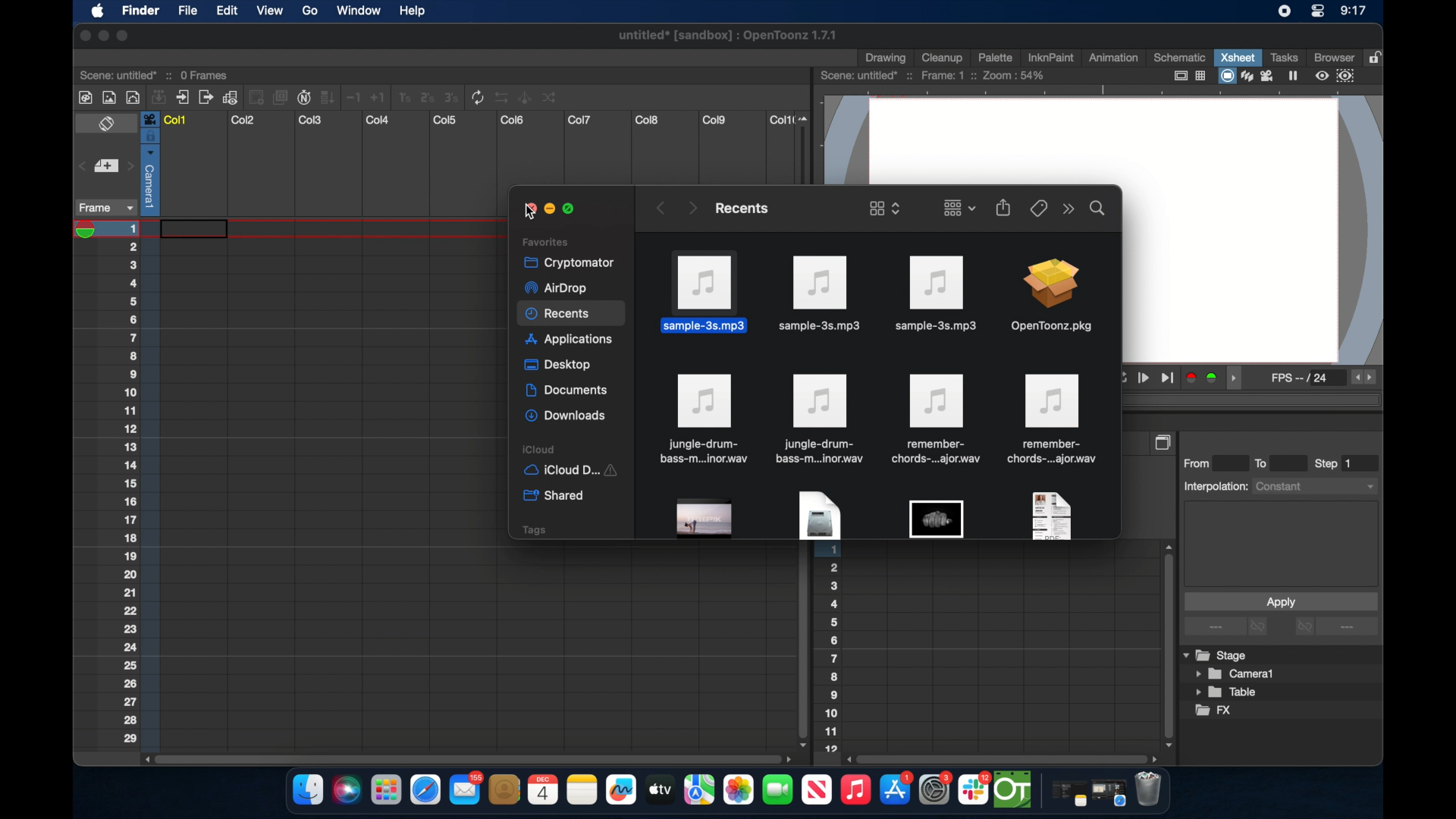  I want to click on obscure image, so click(936, 519).